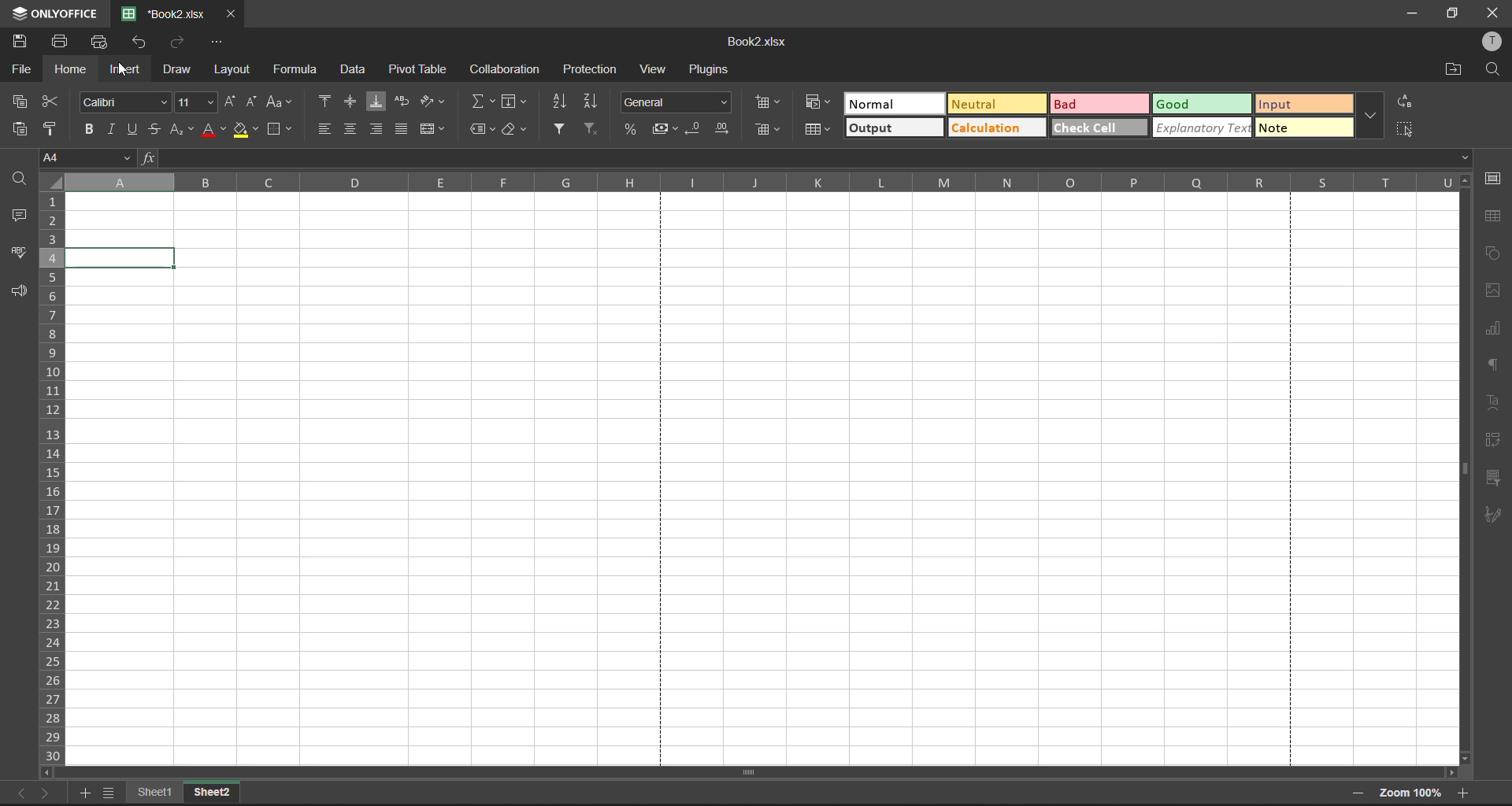 The image size is (1512, 806). I want to click on feedback, so click(18, 294).